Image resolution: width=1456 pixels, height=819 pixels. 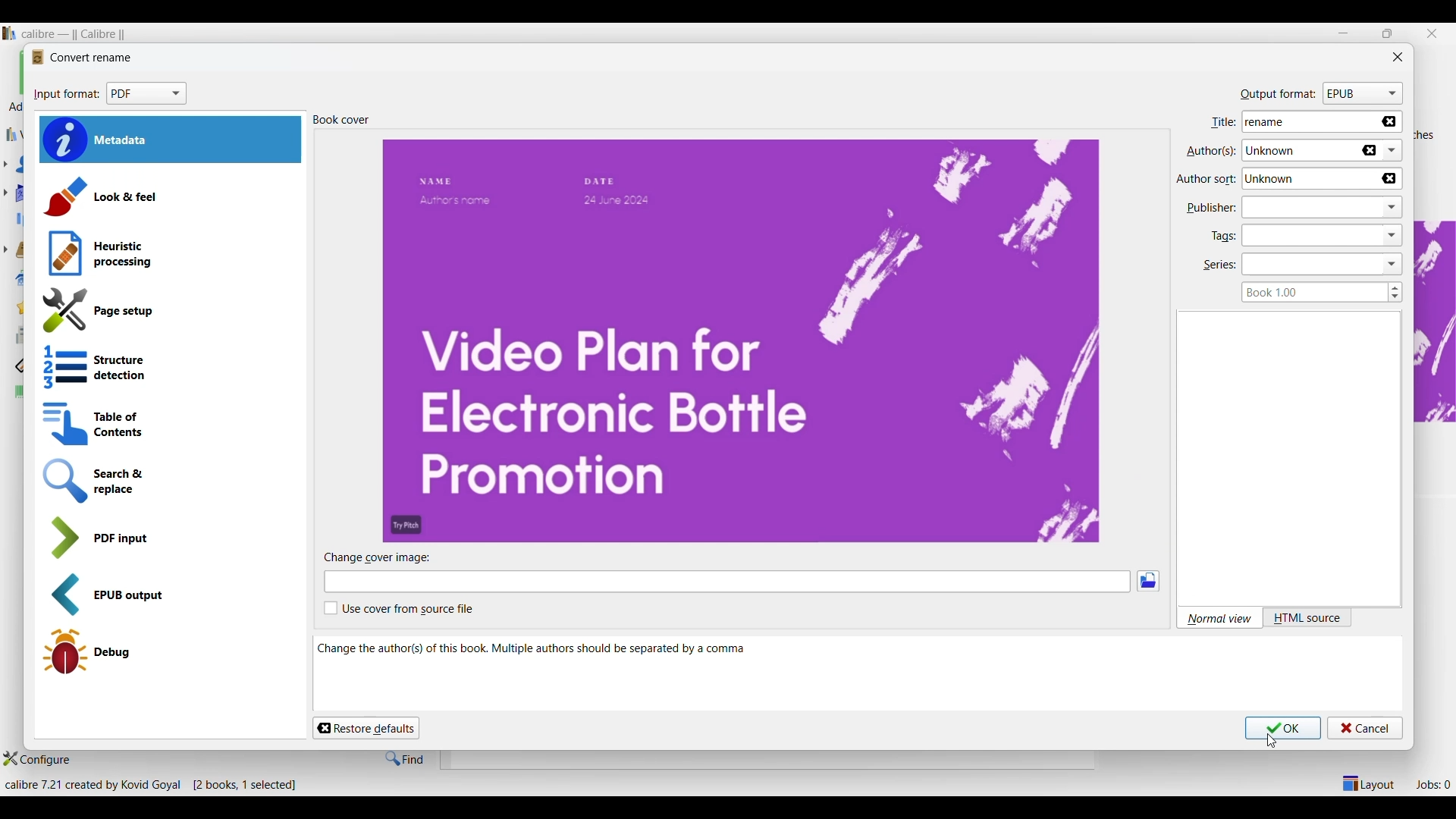 What do you see at coordinates (1207, 180) in the screenshot?
I see `author sort` at bounding box center [1207, 180].